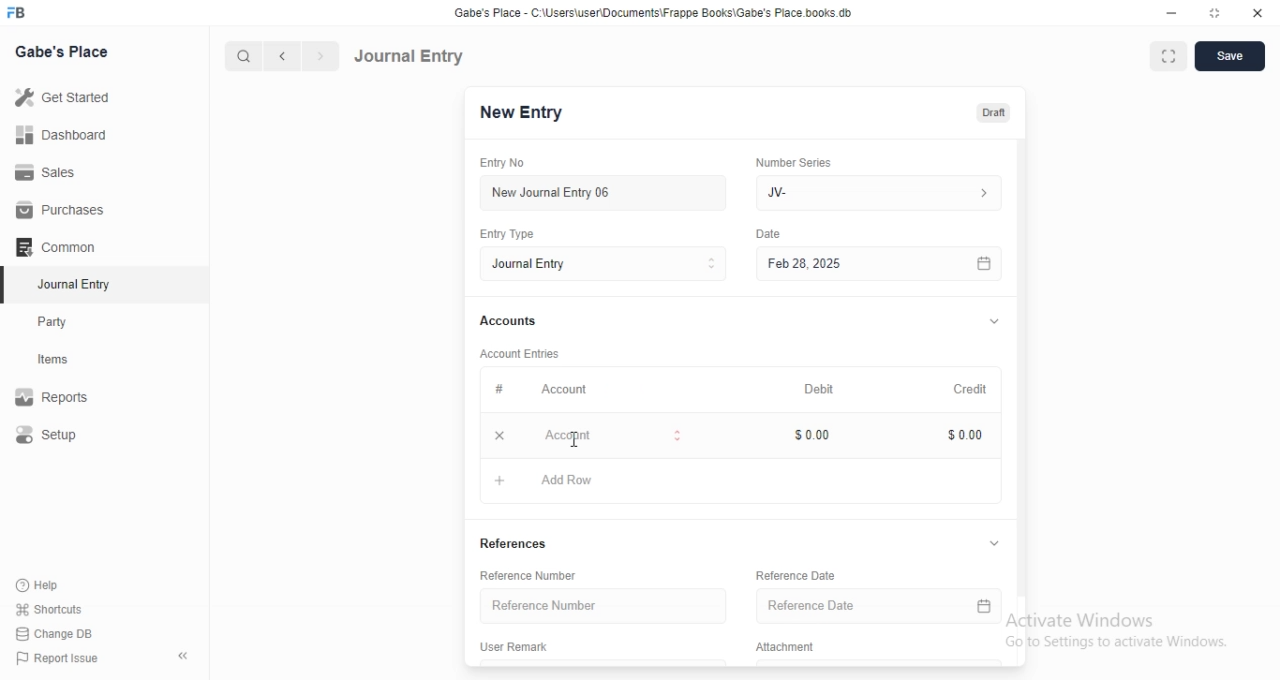 The width and height of the screenshot is (1280, 680). What do you see at coordinates (66, 436) in the screenshot?
I see `Setup` at bounding box center [66, 436].